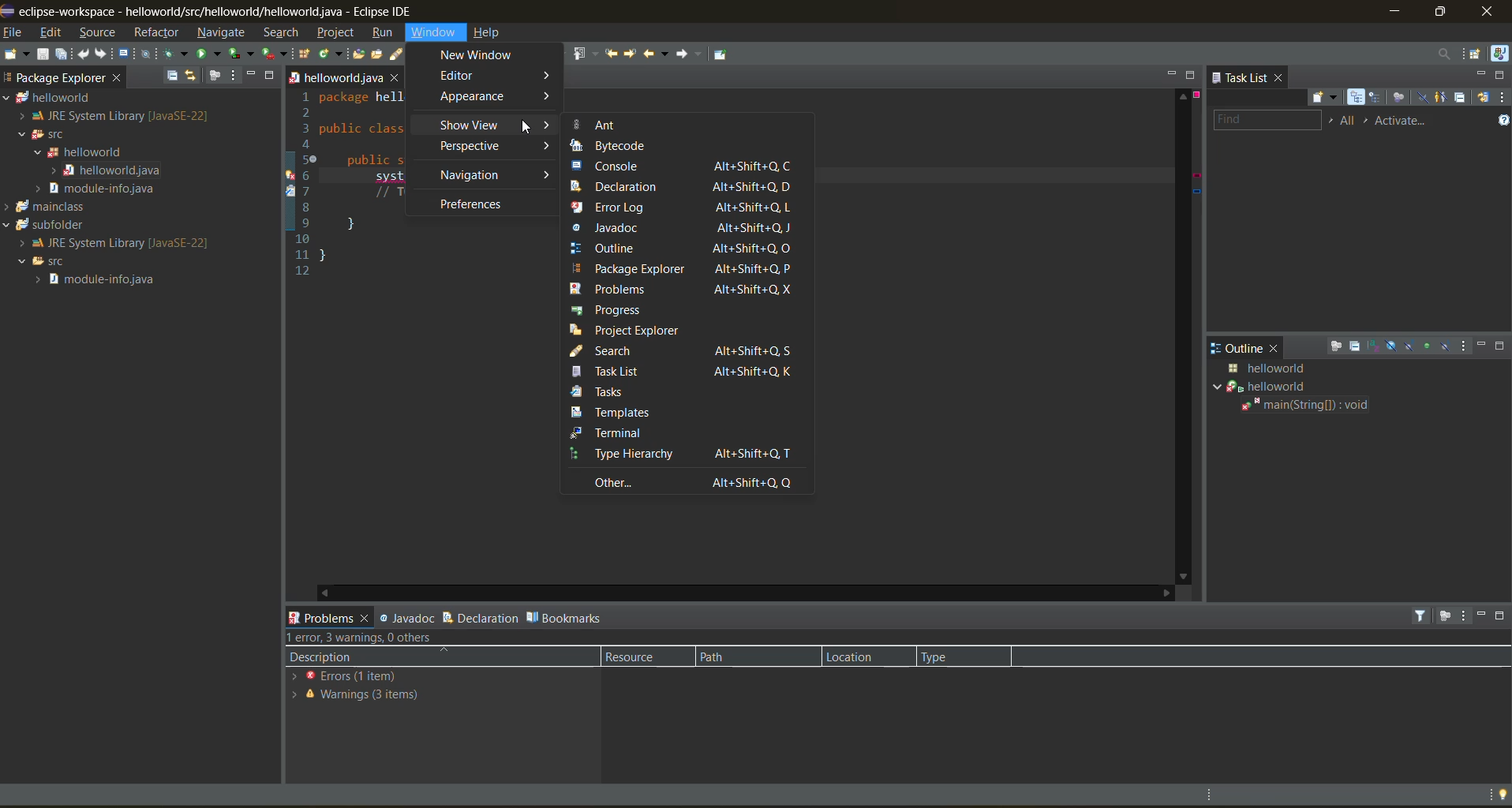  I want to click on path, so click(746, 658).